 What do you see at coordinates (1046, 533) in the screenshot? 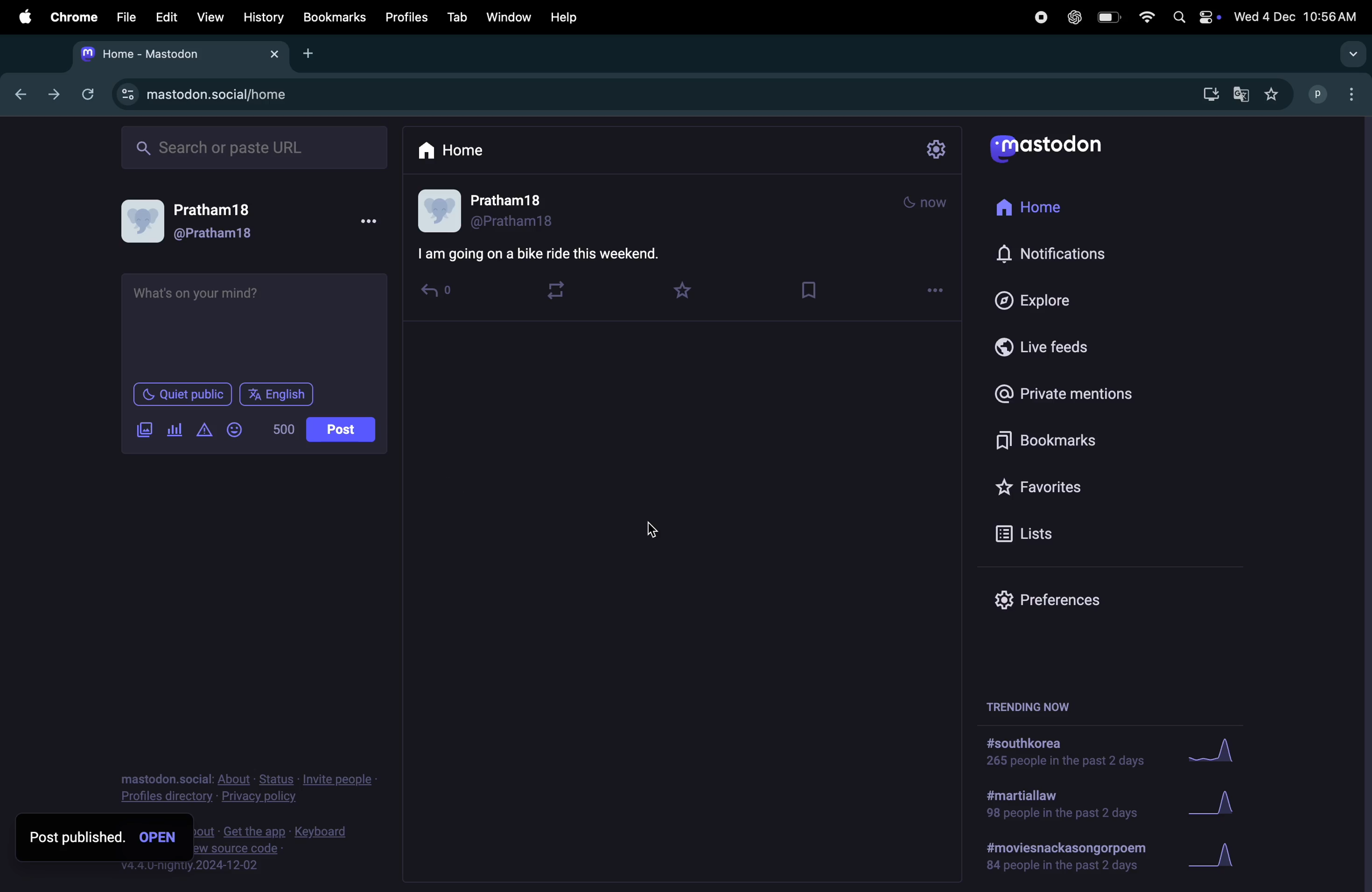
I see `Lists` at bounding box center [1046, 533].